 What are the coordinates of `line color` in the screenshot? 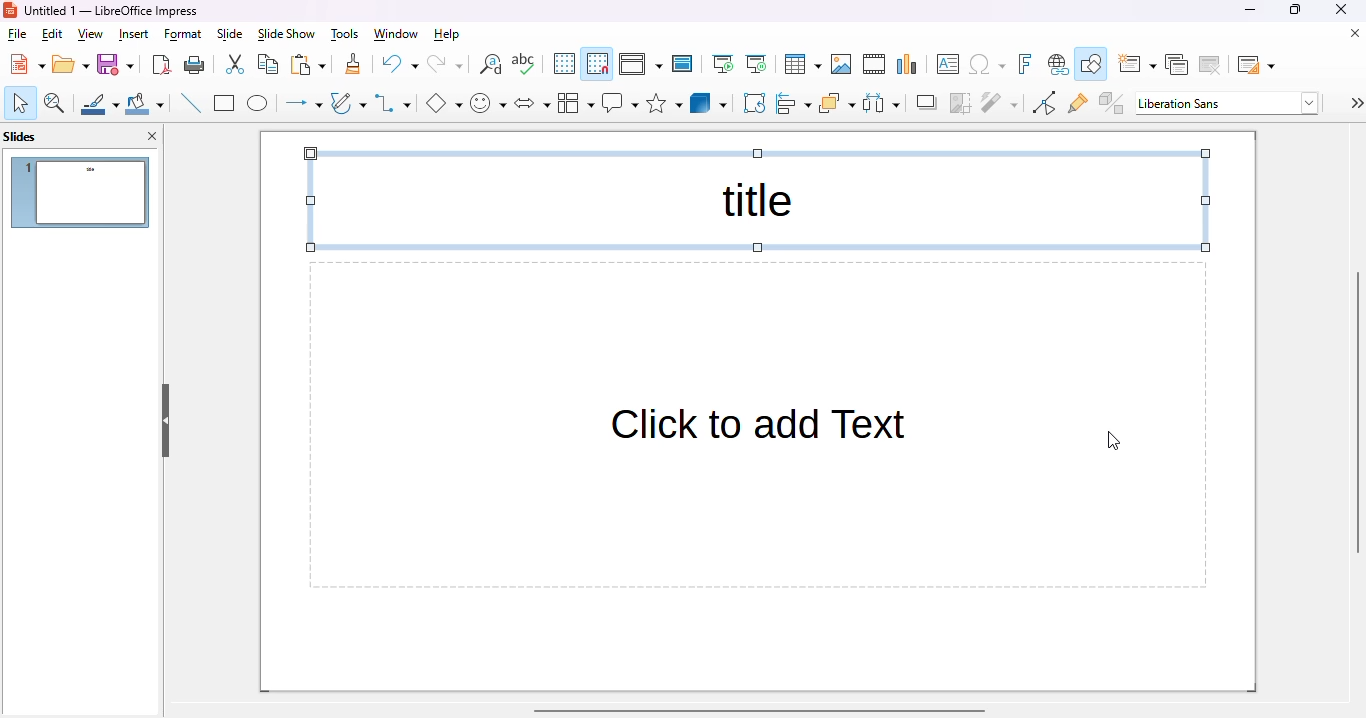 It's located at (99, 103).